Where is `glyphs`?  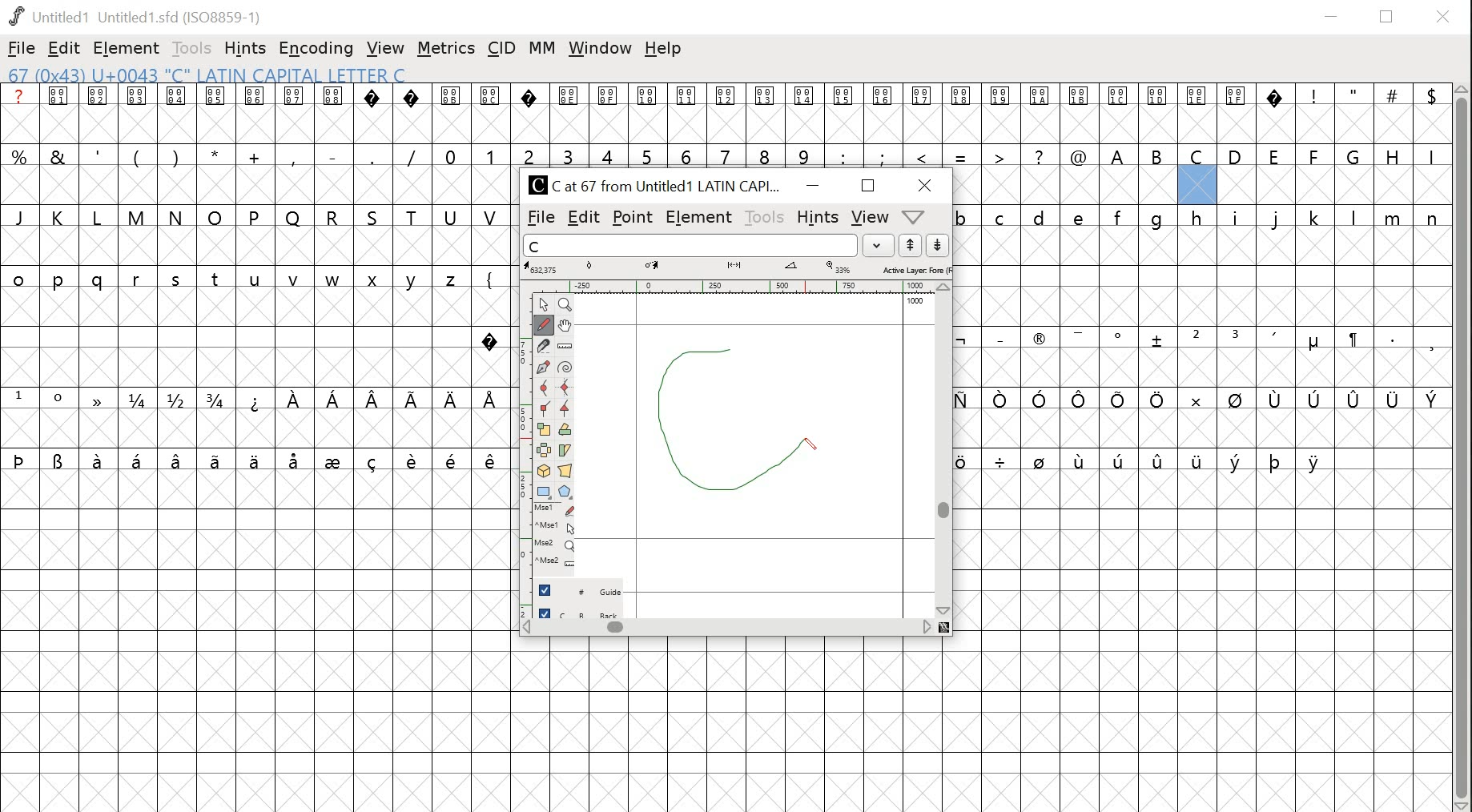
glyphs is located at coordinates (736, 125).